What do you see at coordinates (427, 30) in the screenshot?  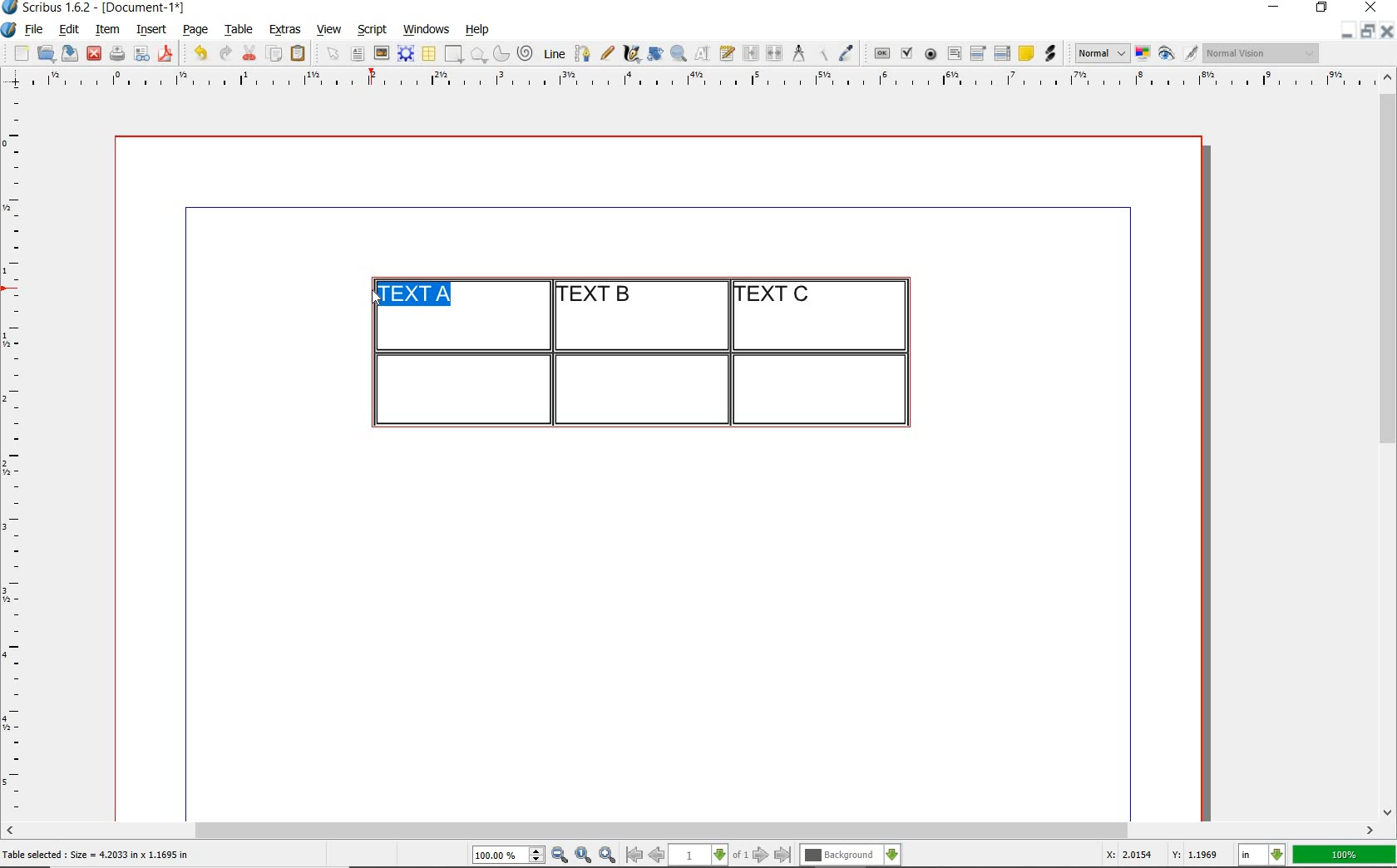 I see `windows` at bounding box center [427, 30].